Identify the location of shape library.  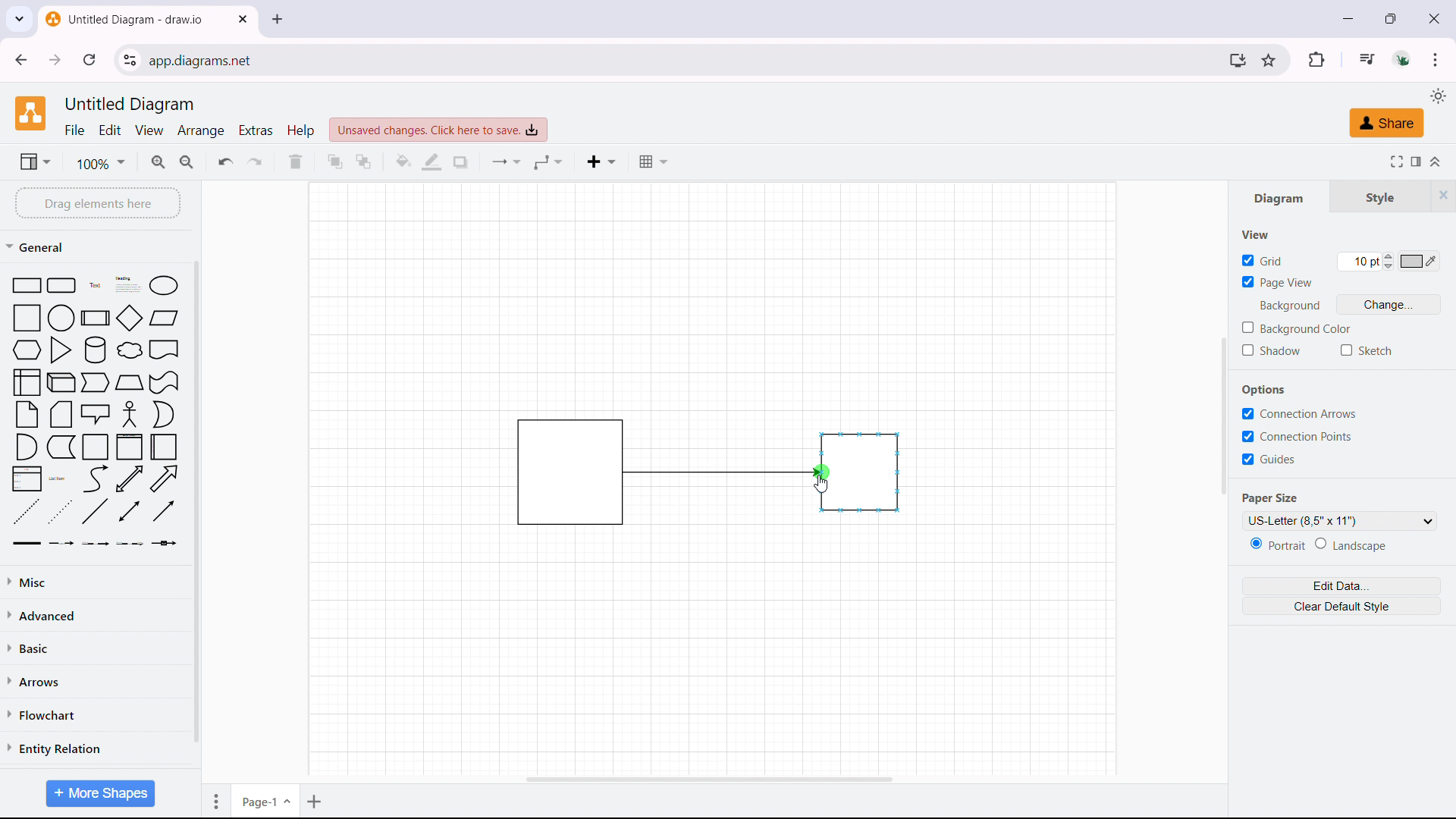
(96, 413).